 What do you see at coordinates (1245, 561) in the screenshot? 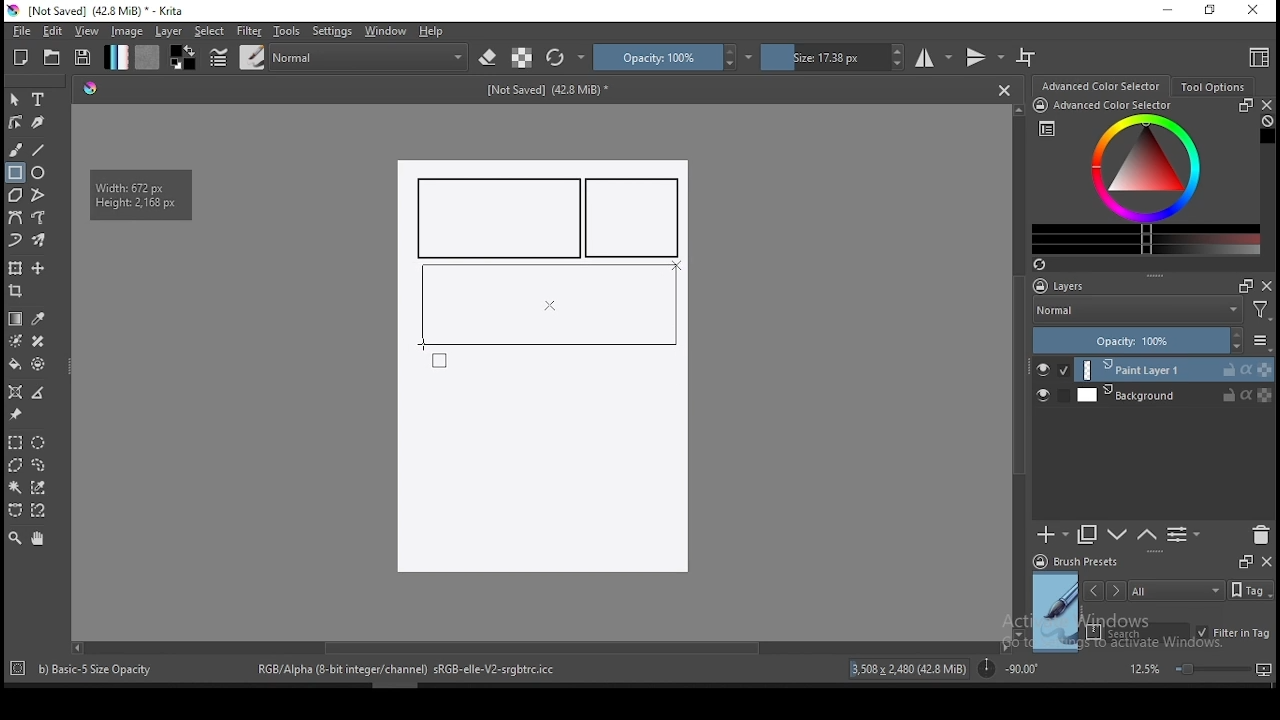
I see `Frames` at bounding box center [1245, 561].